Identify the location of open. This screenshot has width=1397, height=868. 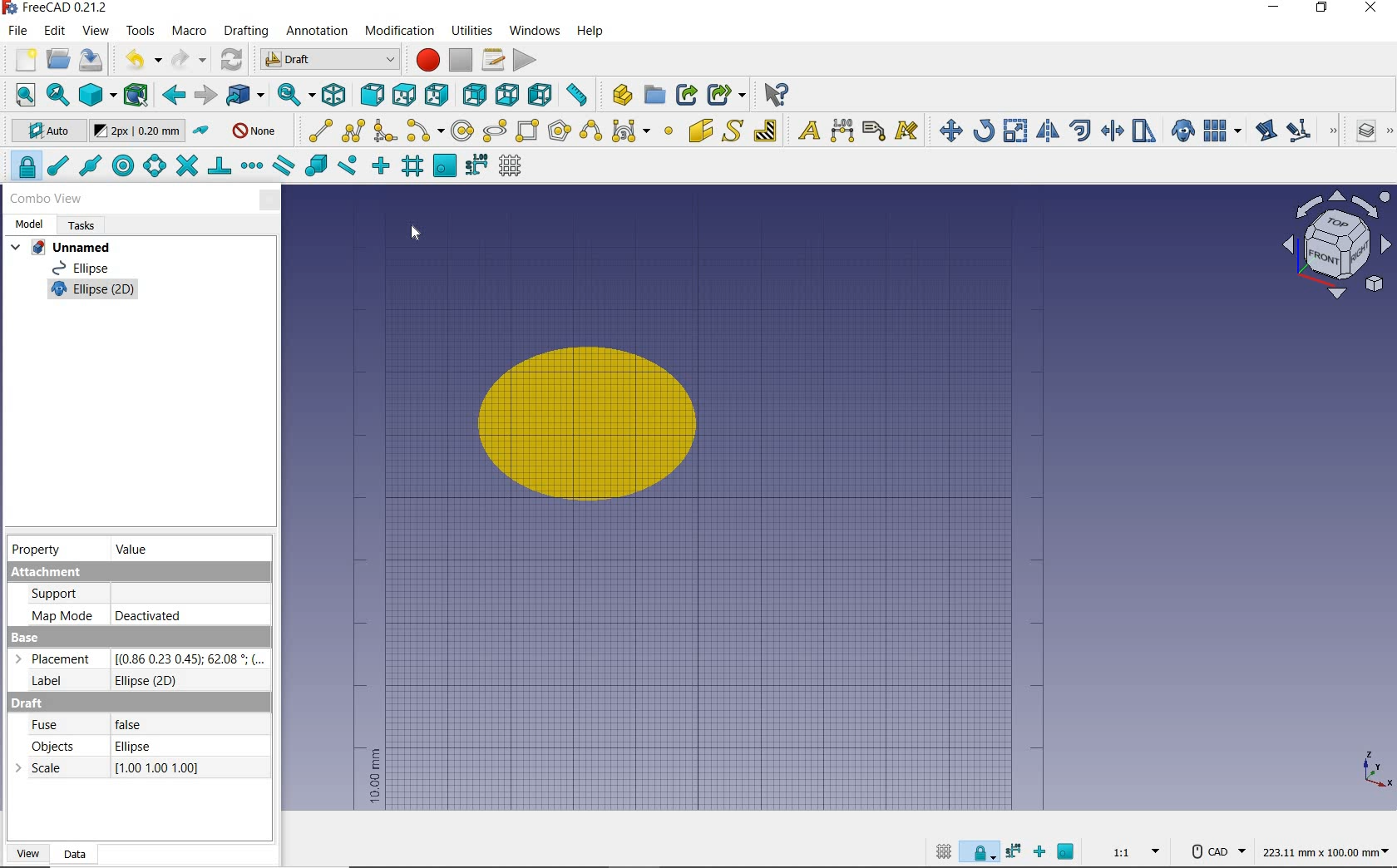
(57, 60).